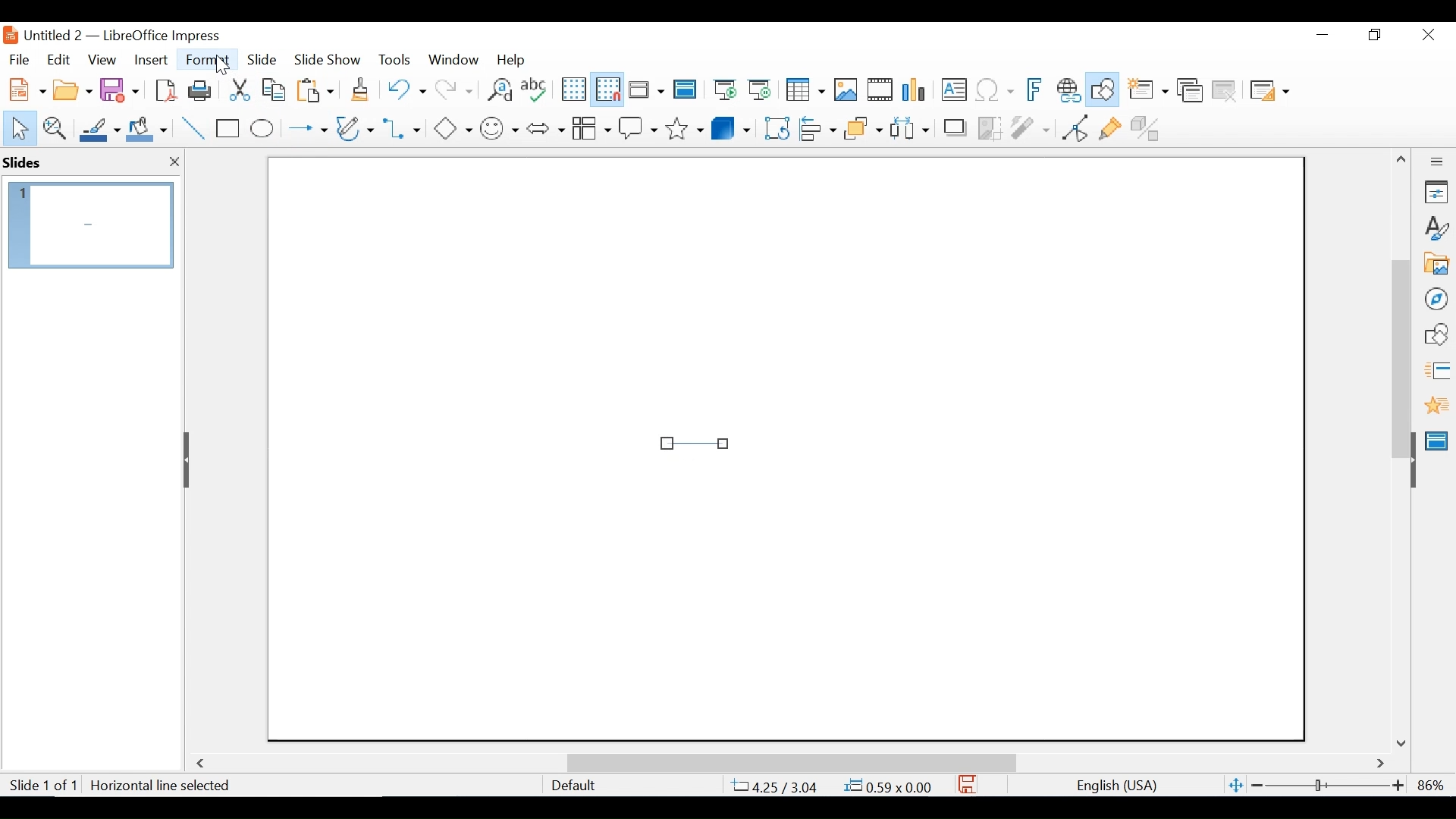  What do you see at coordinates (362, 89) in the screenshot?
I see `Clone Formatting` at bounding box center [362, 89].